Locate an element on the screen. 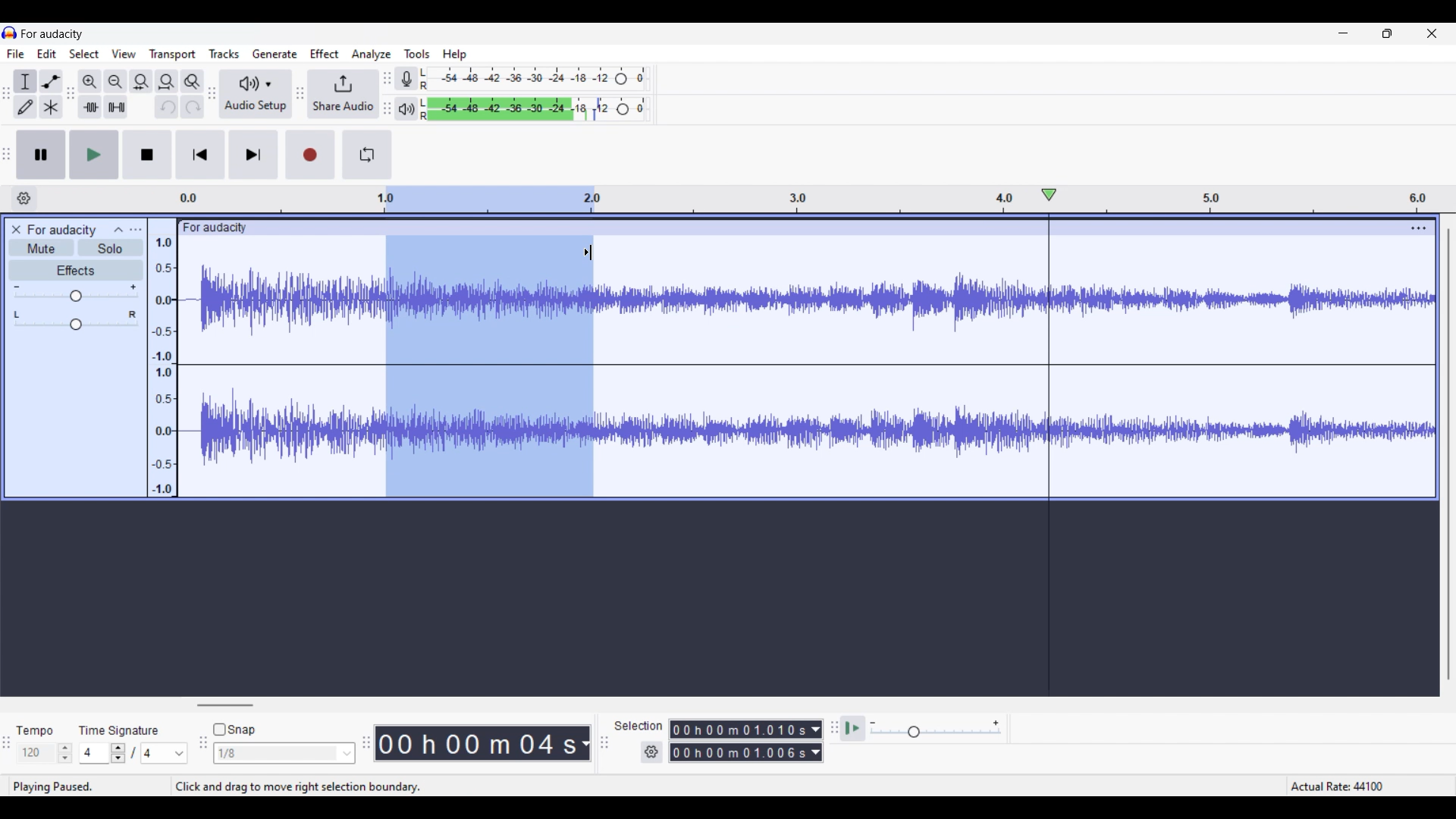 This screenshot has width=1456, height=819. playing pause is located at coordinates (65, 784).